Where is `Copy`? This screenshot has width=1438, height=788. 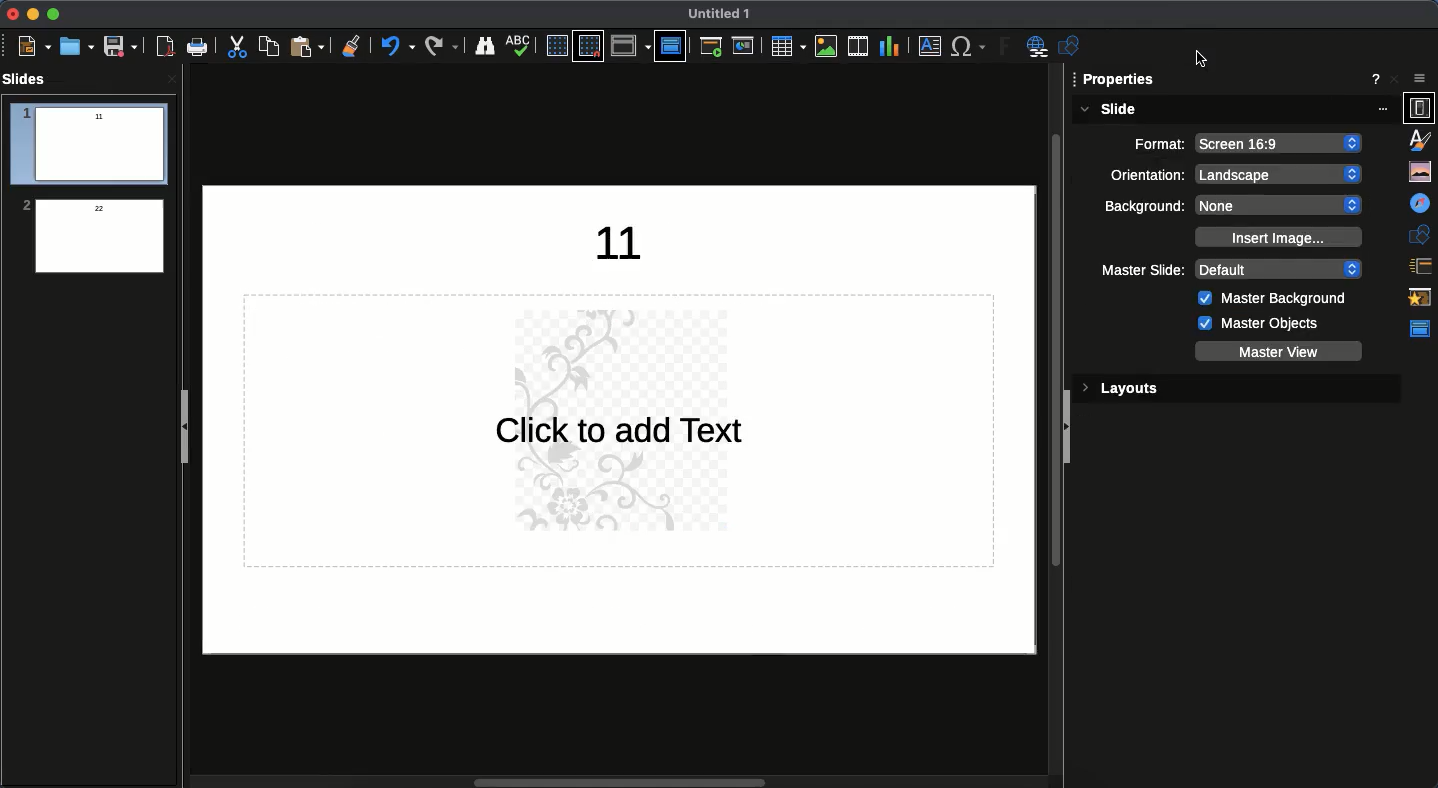 Copy is located at coordinates (269, 46).